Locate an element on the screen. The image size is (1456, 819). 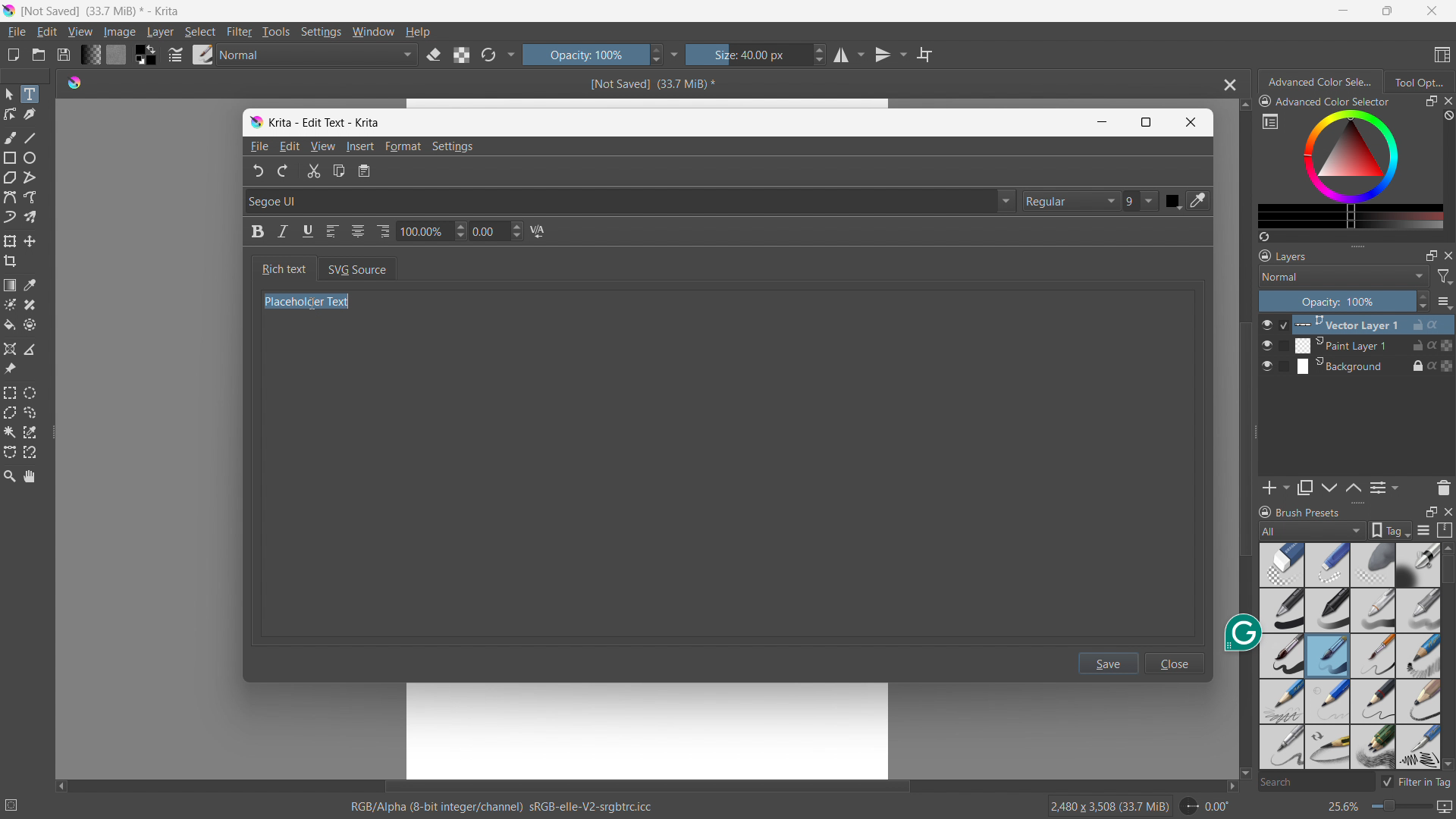
small tip pencil is located at coordinates (1327, 748).